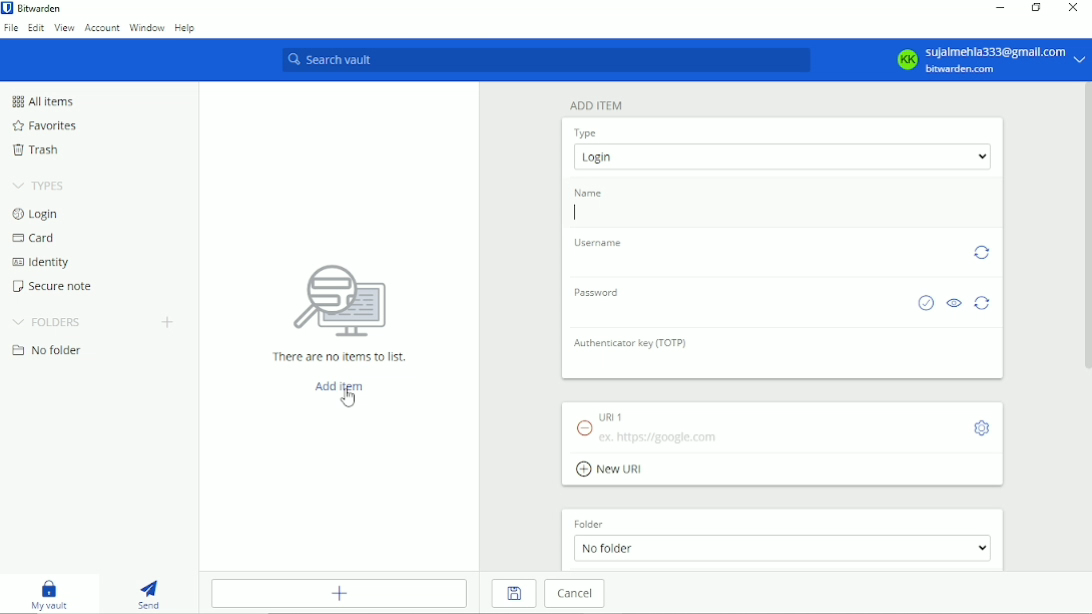 The height and width of the screenshot is (614, 1092). I want to click on Folders, so click(50, 320).